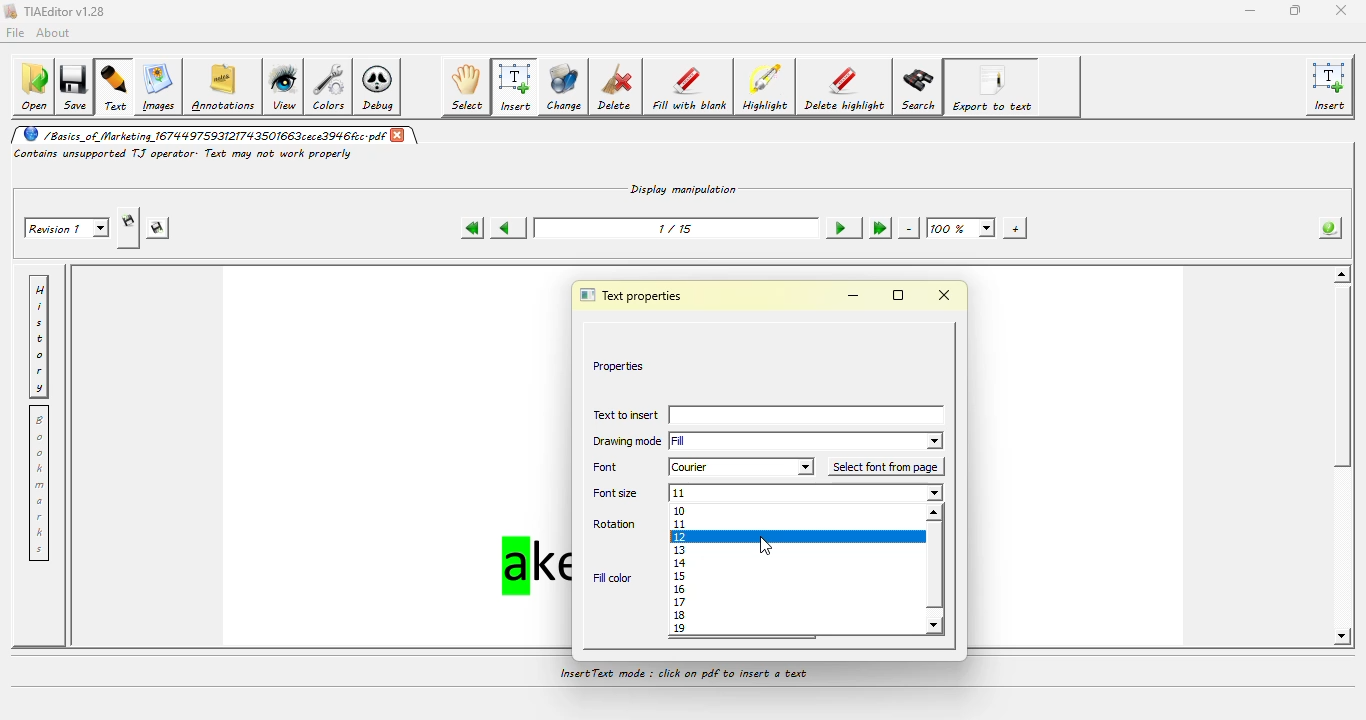 The height and width of the screenshot is (720, 1366). Describe the element at coordinates (808, 494) in the screenshot. I see `11` at that location.